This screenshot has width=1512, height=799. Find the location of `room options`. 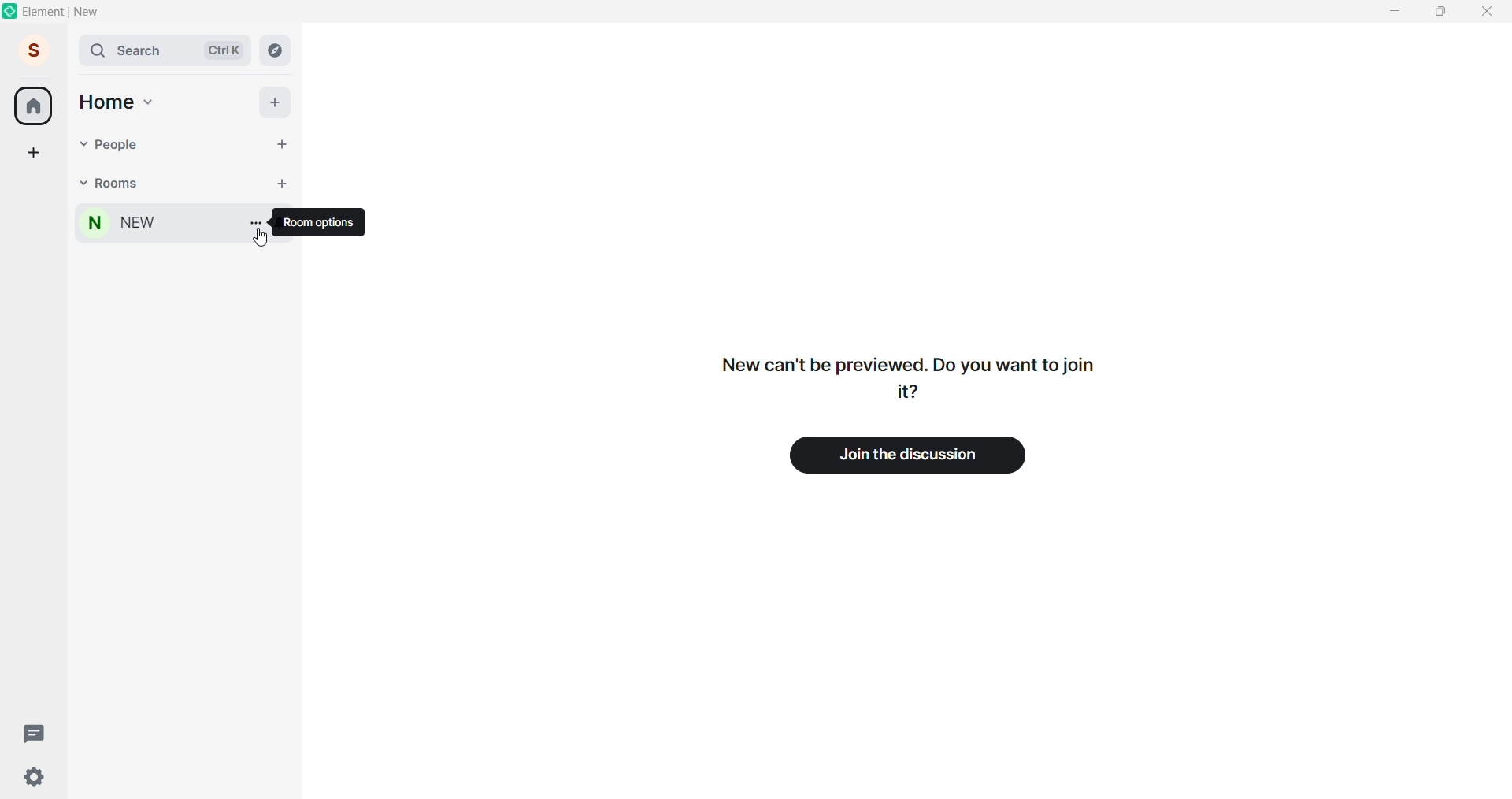

room options is located at coordinates (320, 222).